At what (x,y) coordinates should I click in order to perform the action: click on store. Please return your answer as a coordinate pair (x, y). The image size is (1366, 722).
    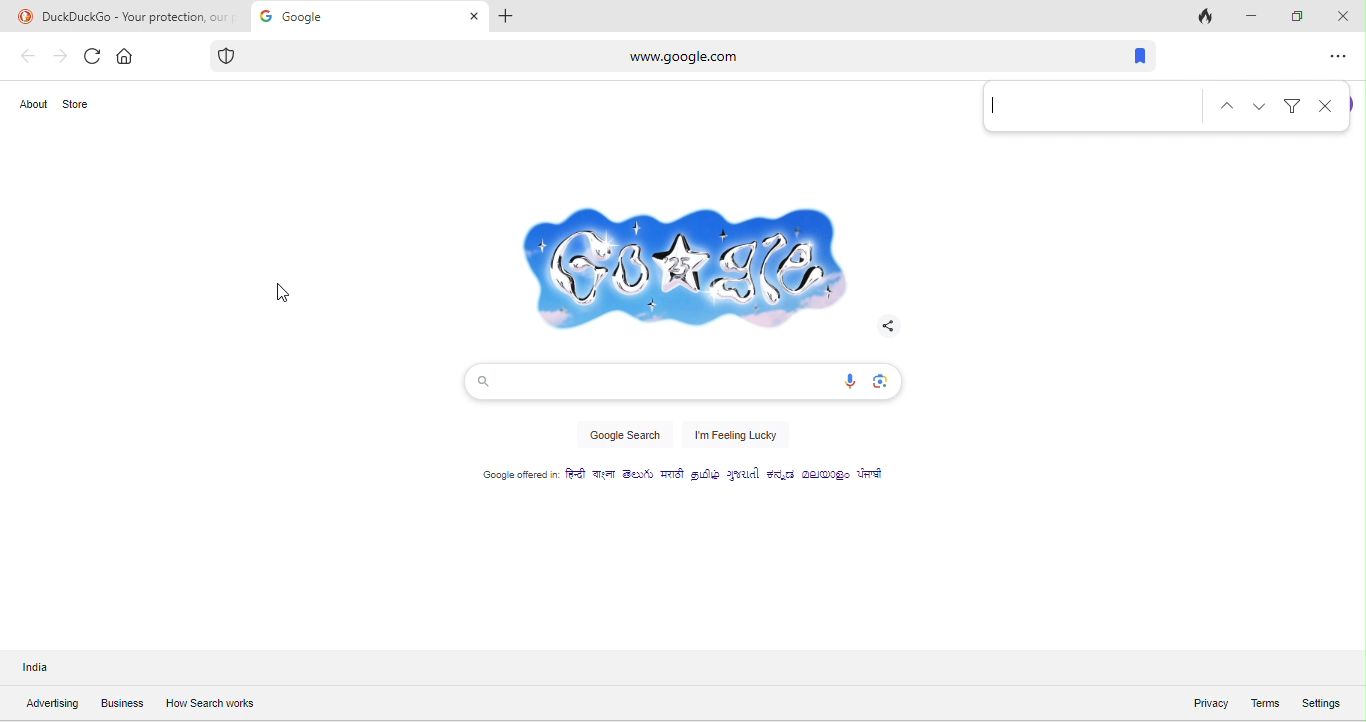
    Looking at the image, I should click on (83, 104).